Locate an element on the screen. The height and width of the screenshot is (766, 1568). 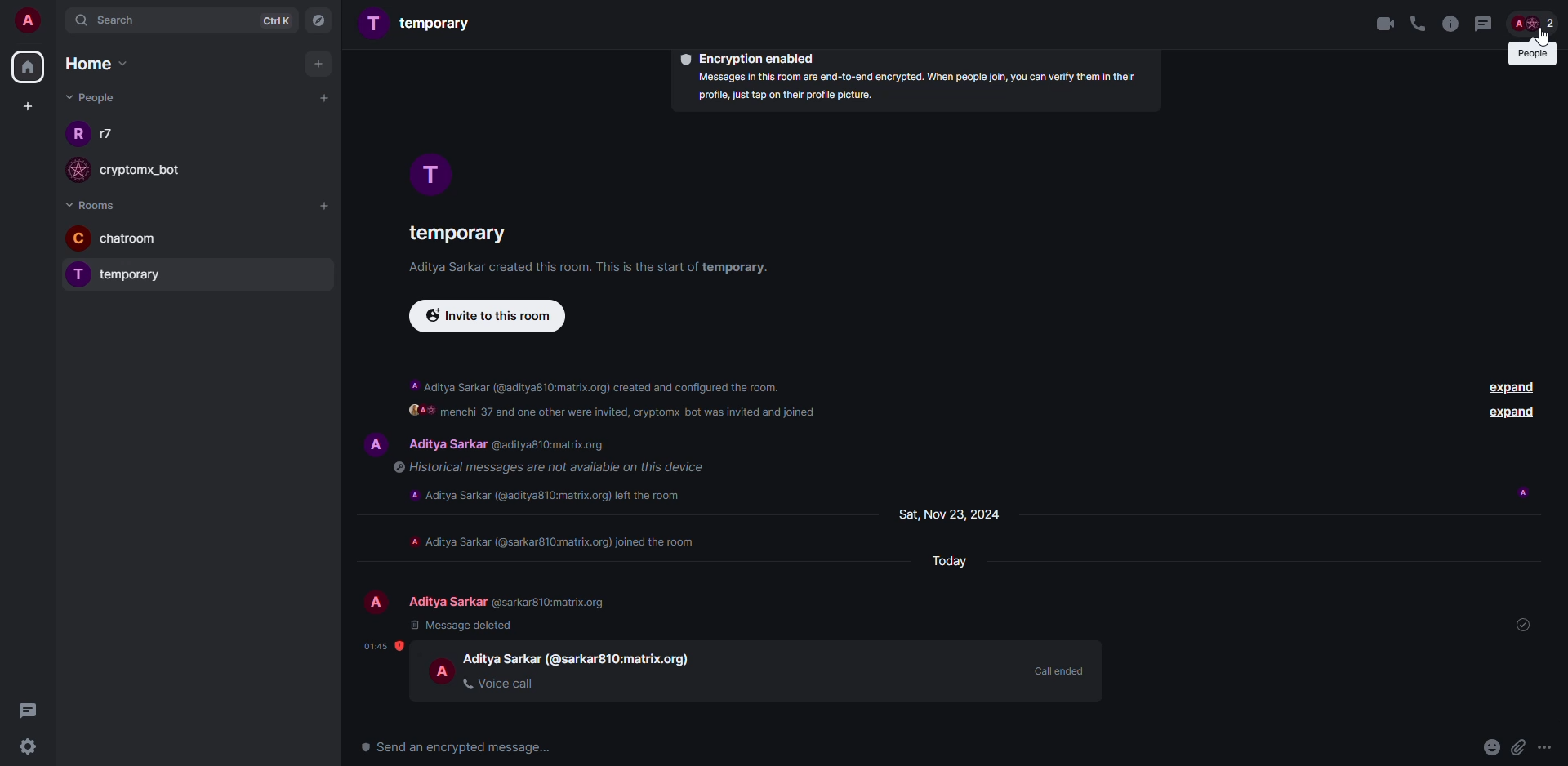
send encrypted message is located at coordinates (461, 748).